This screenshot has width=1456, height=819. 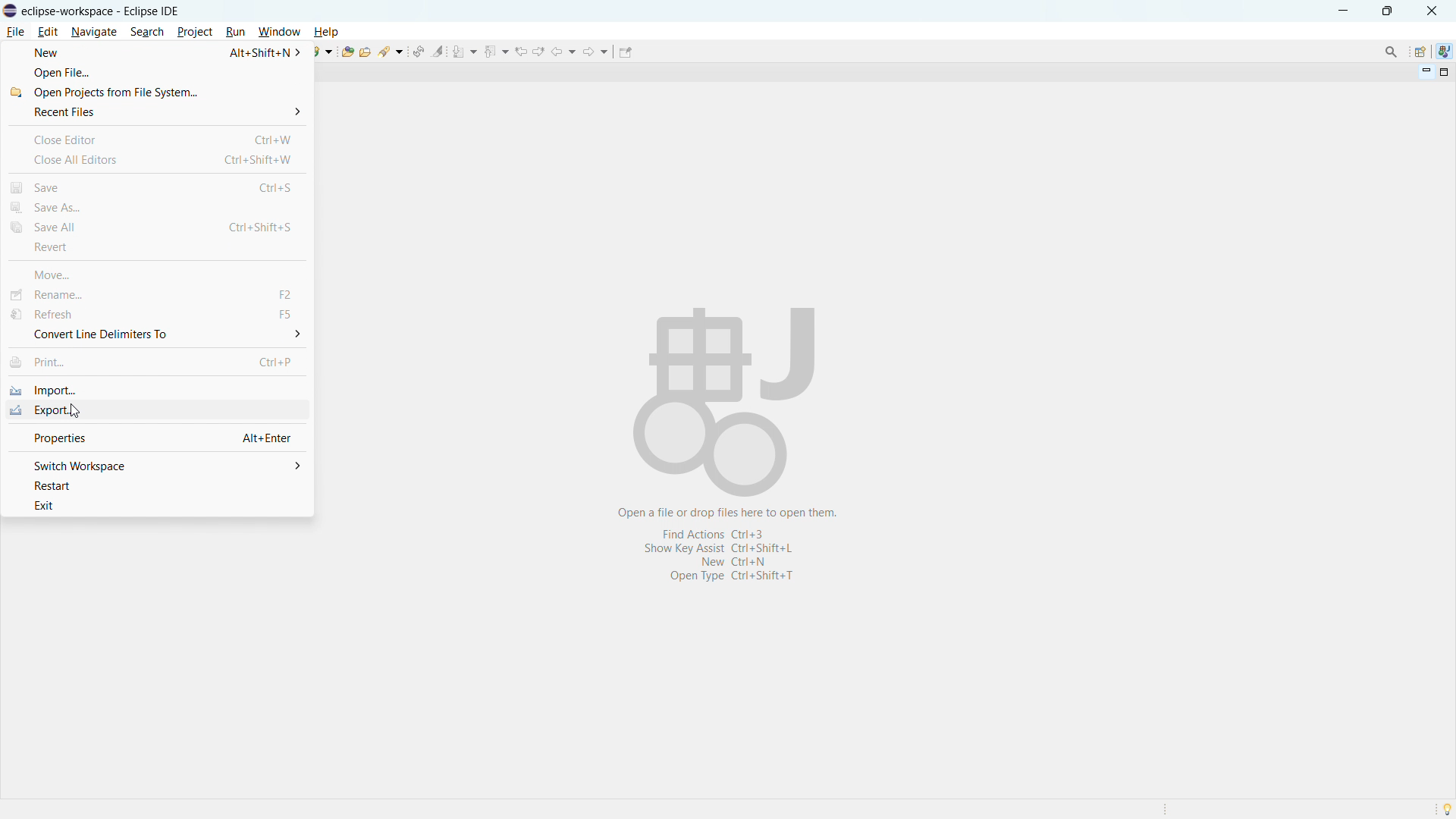 What do you see at coordinates (157, 438) in the screenshot?
I see `properties` at bounding box center [157, 438].